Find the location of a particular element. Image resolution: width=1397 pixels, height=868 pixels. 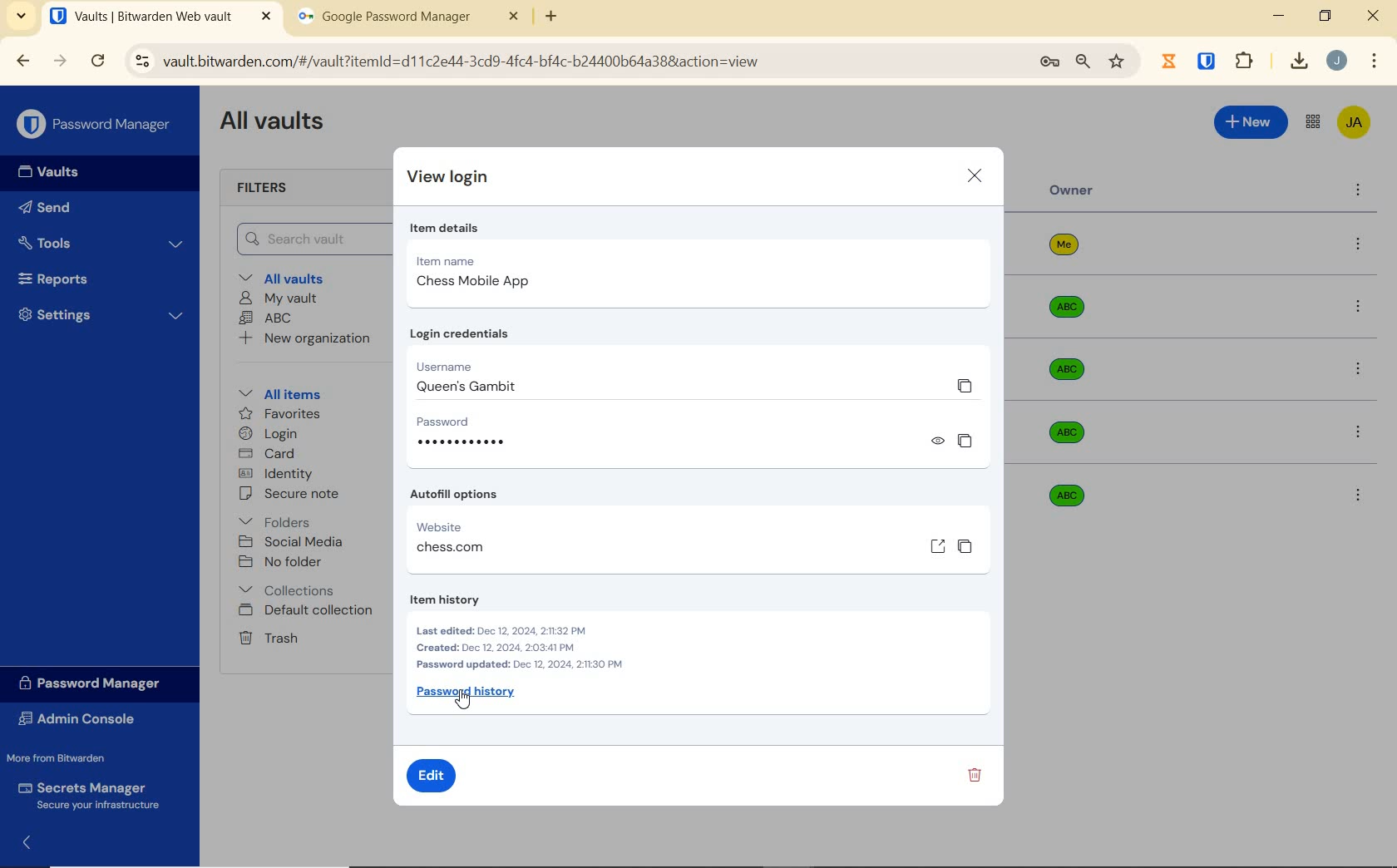

queen's gambit is located at coordinates (466, 385).